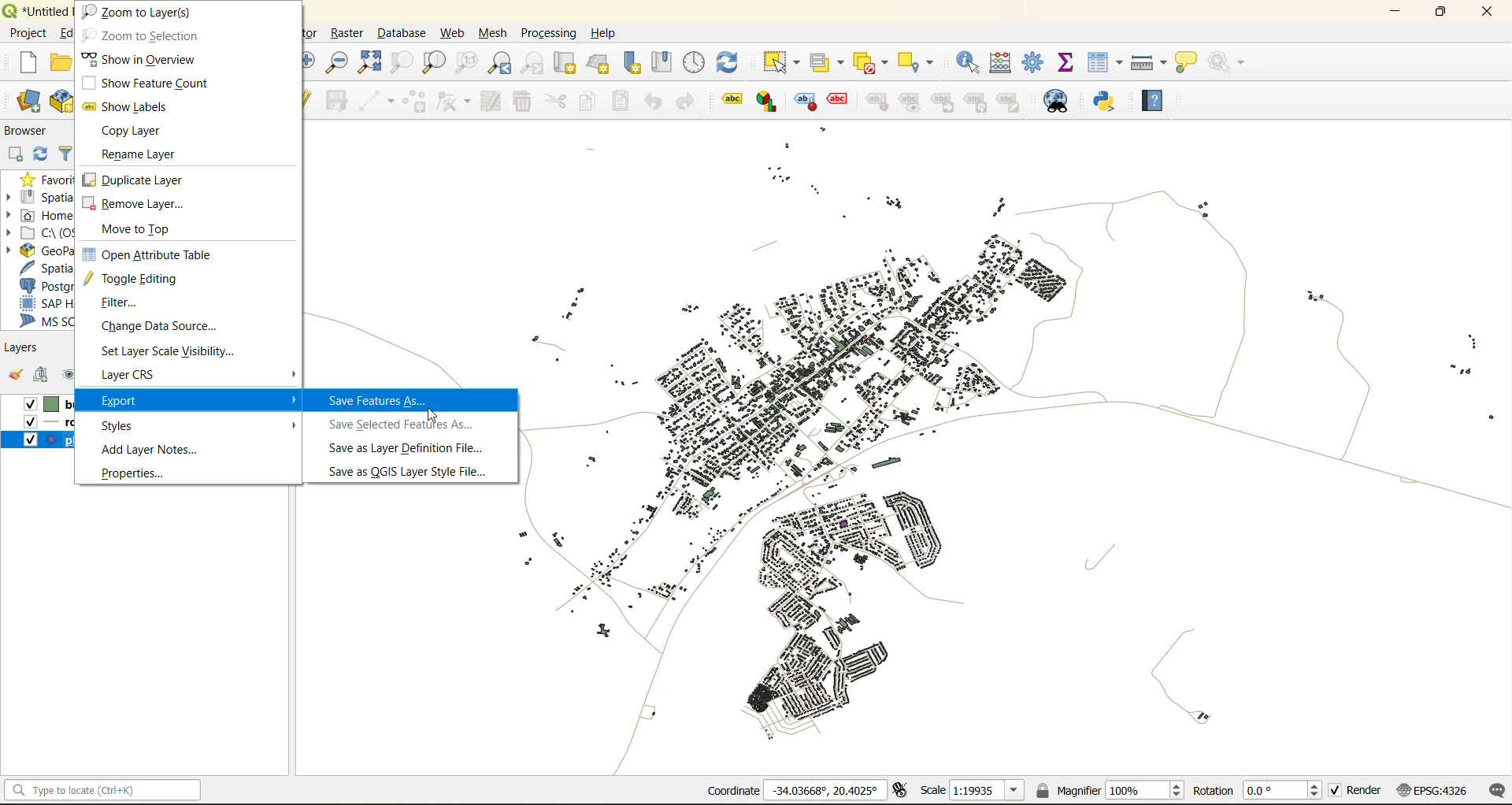 Image resolution: width=1512 pixels, height=805 pixels. Describe the element at coordinates (804, 102) in the screenshot. I see `highlight pinned labels and diagram` at that location.